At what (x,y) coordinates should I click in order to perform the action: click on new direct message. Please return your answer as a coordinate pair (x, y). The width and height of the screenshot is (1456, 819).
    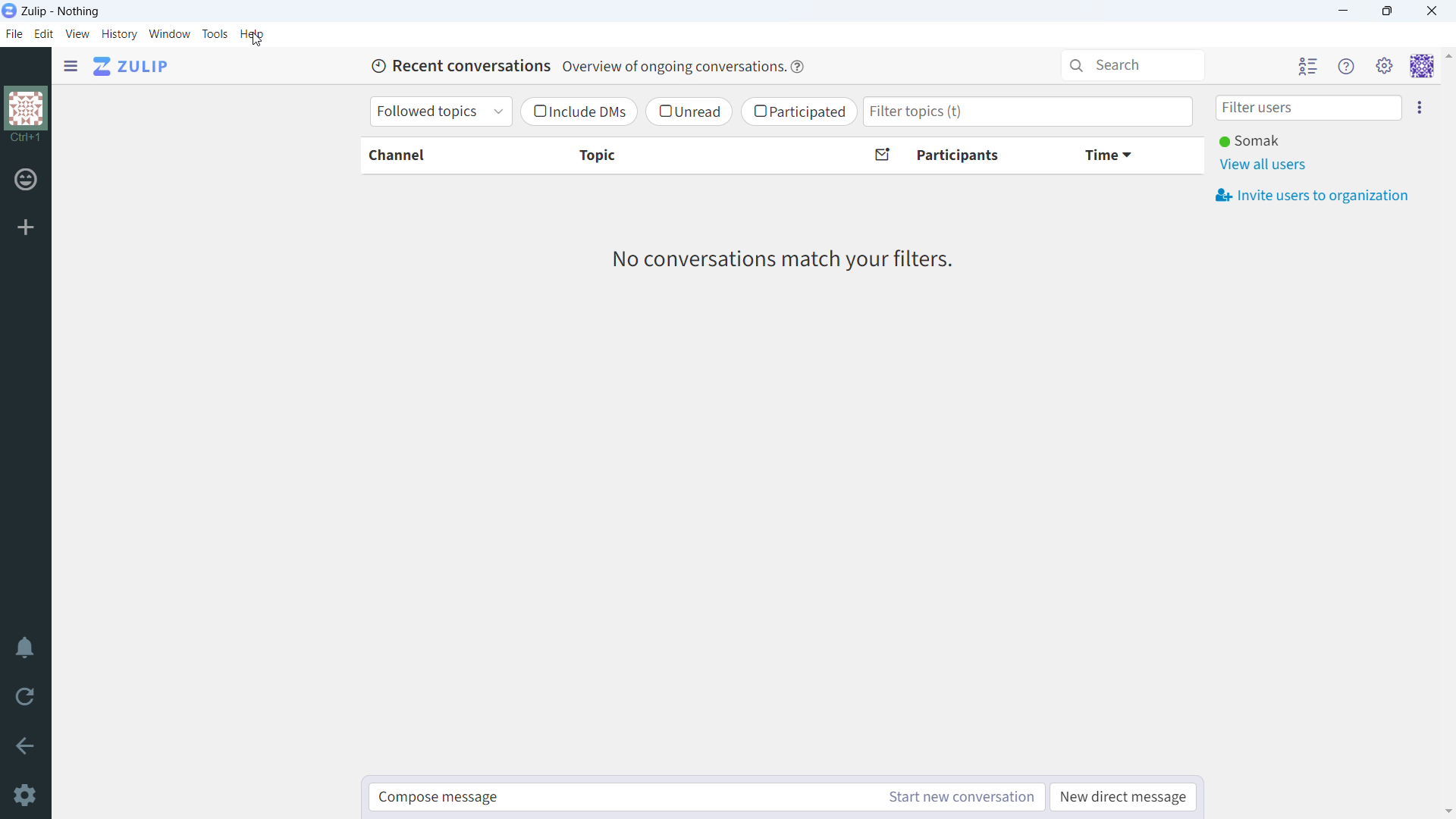
    Looking at the image, I should click on (1124, 797).